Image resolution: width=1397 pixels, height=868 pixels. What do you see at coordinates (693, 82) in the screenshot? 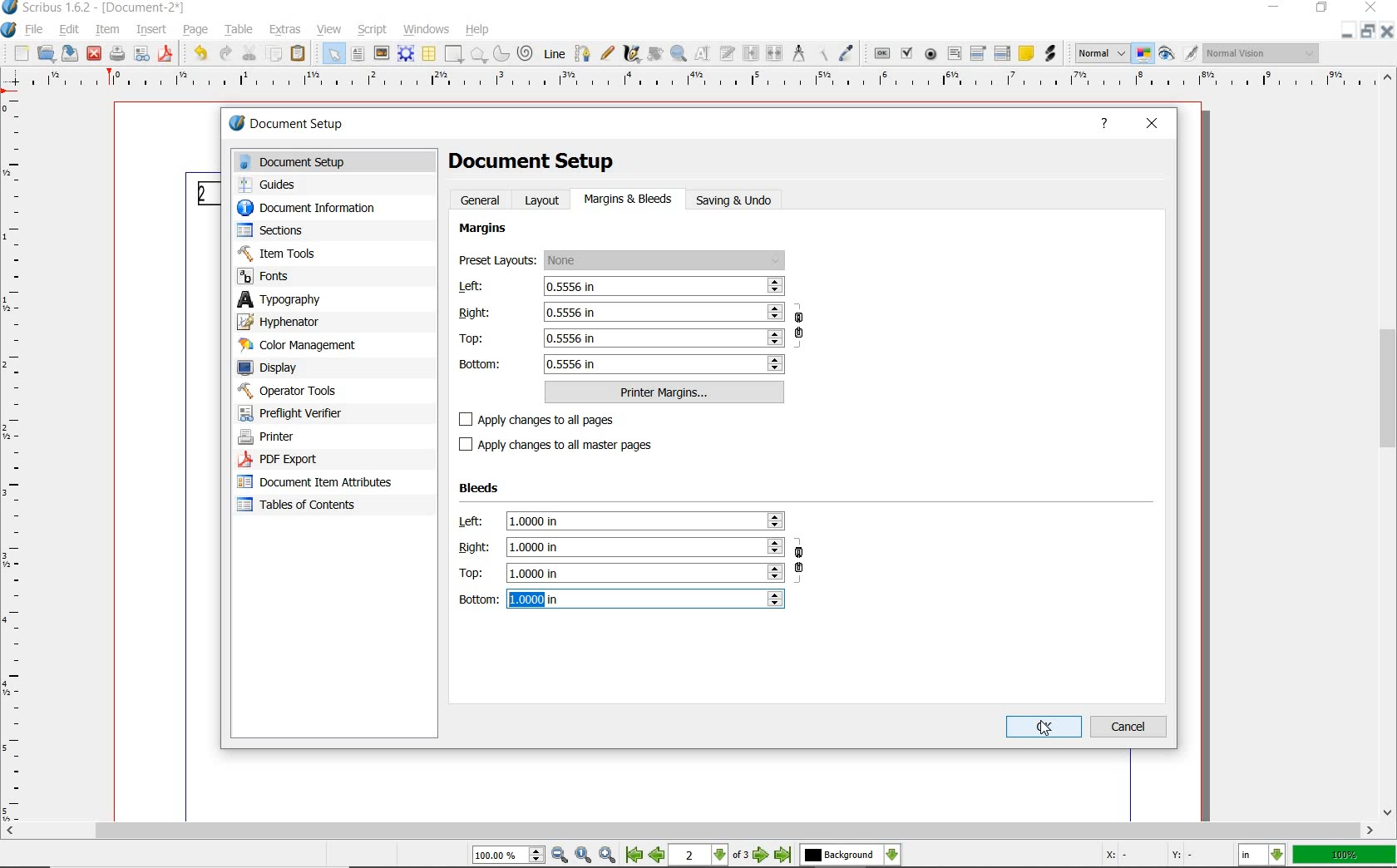
I see `Horizontal MArgin` at bounding box center [693, 82].